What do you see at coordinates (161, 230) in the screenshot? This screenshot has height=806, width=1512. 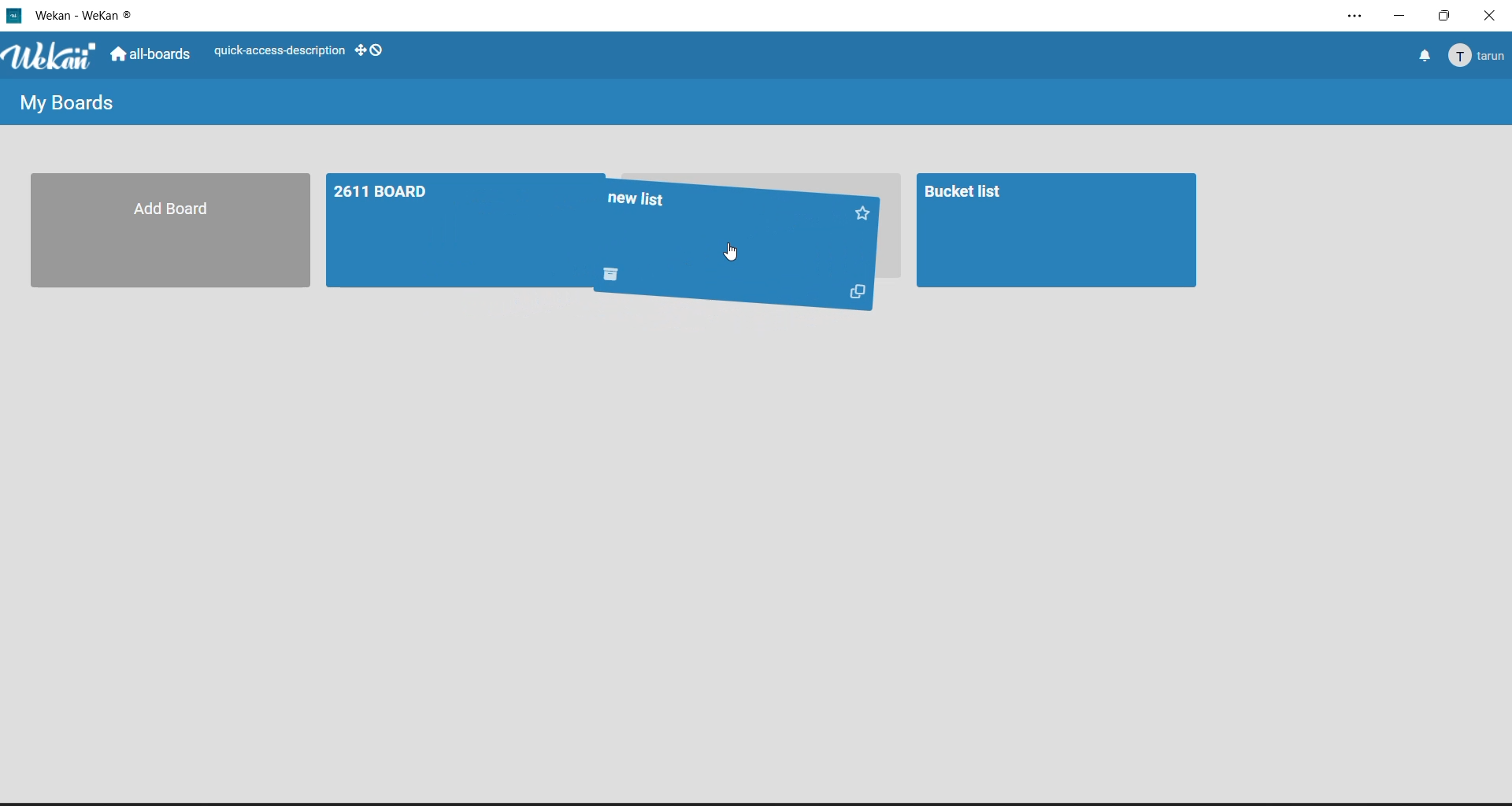 I see `Add Board` at bounding box center [161, 230].